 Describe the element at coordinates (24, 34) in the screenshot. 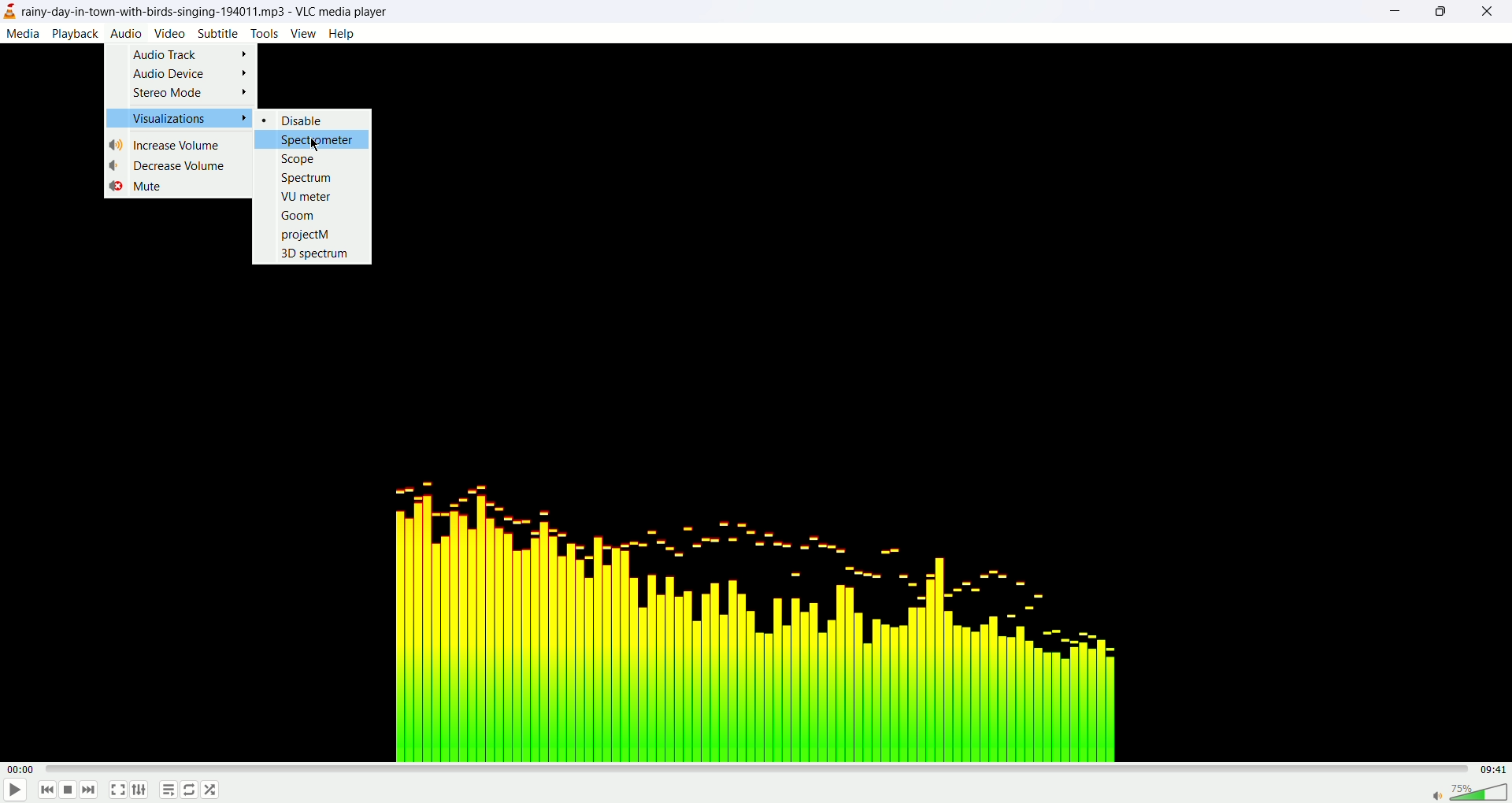

I see `media` at that location.